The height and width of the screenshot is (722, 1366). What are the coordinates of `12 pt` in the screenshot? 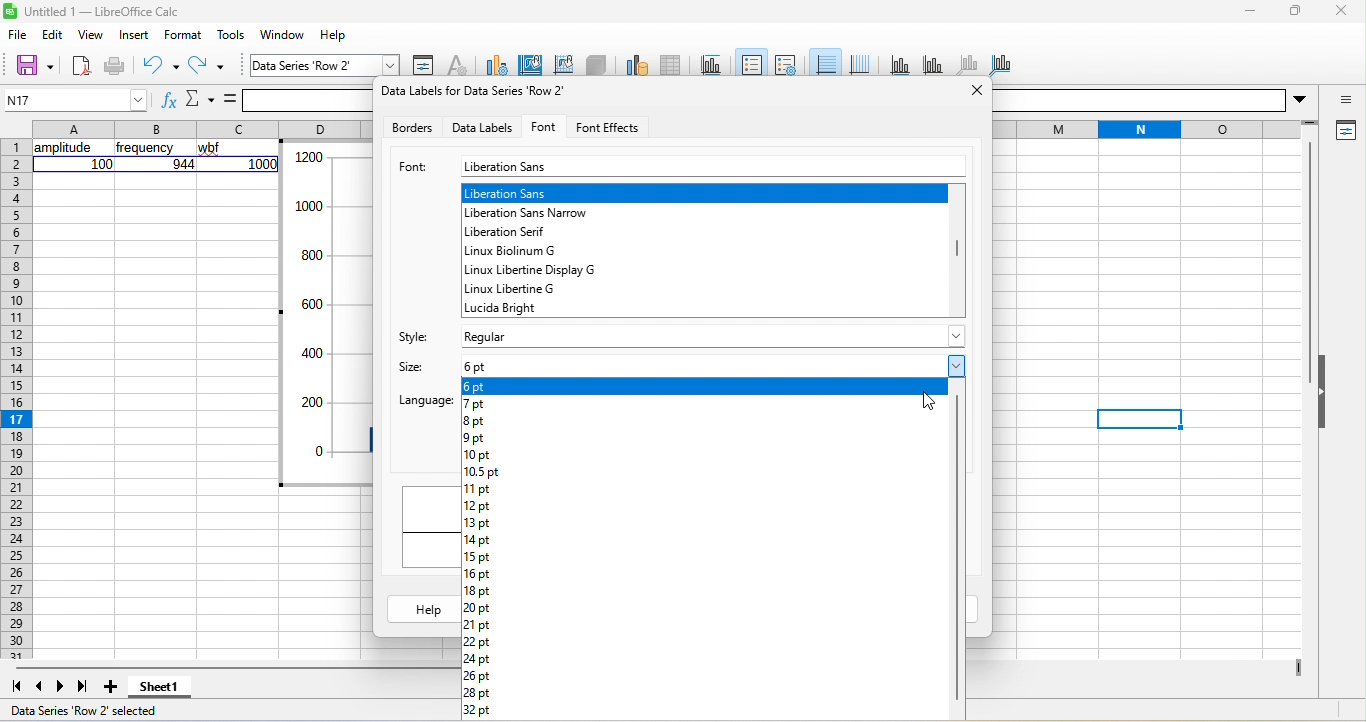 It's located at (478, 506).